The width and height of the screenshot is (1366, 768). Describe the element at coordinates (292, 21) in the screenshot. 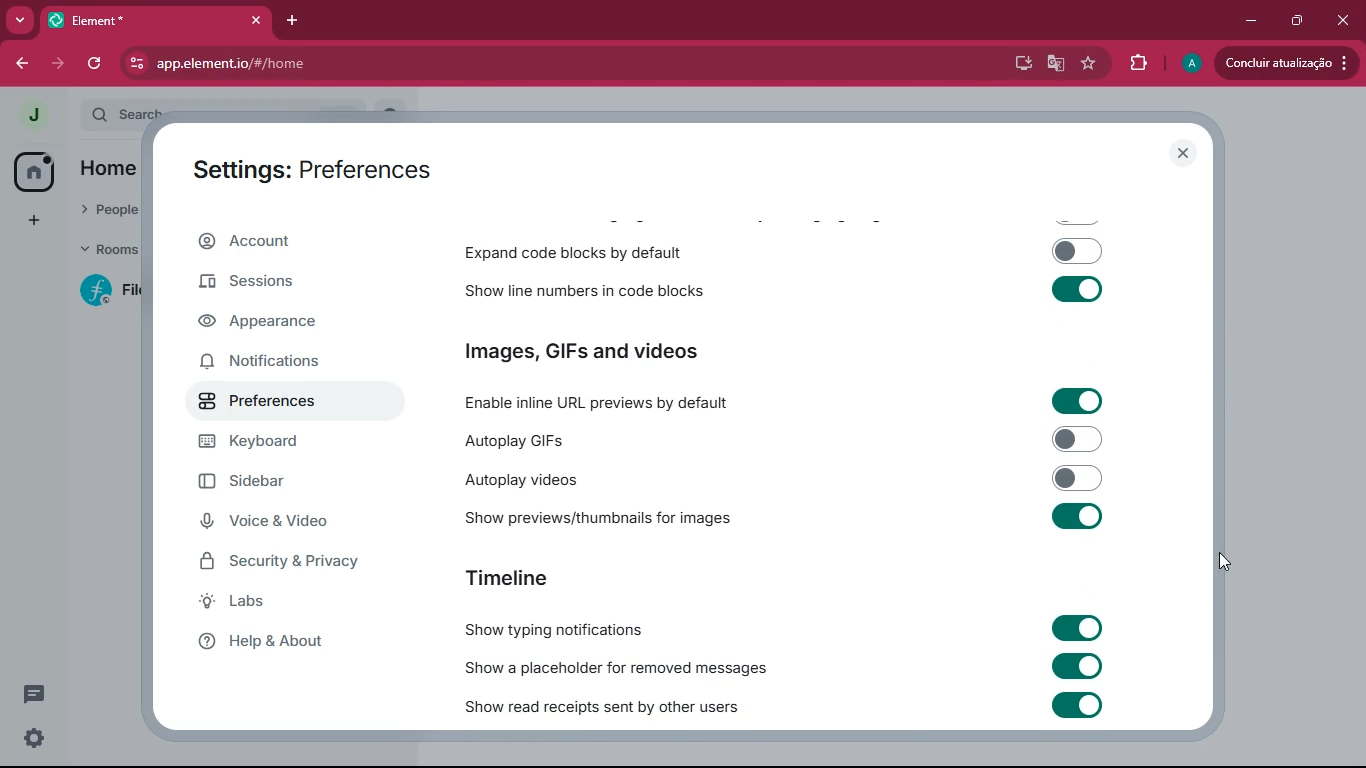

I see `add tab` at that location.